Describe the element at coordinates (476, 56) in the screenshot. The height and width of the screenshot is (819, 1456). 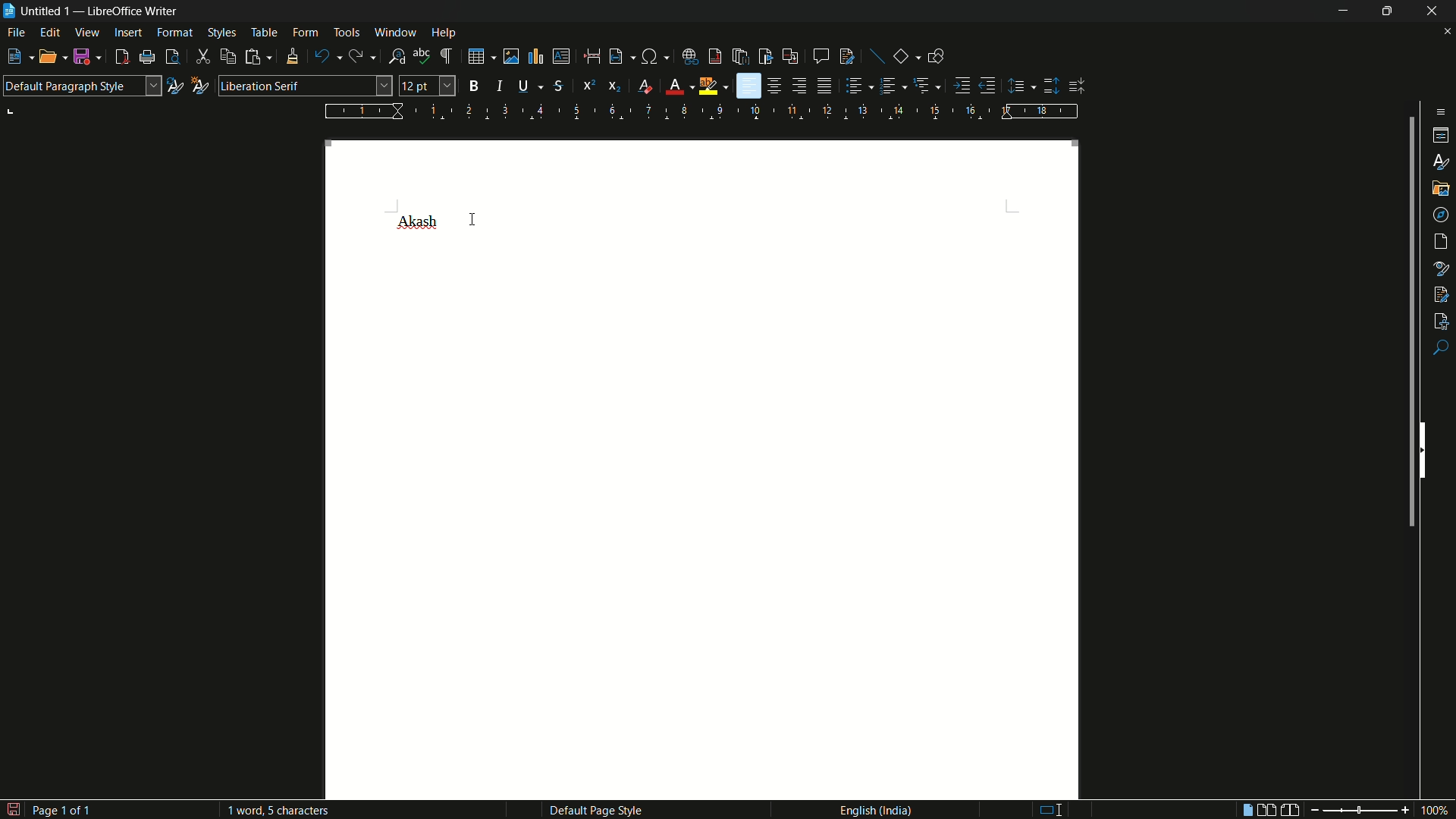
I see `insert table` at that location.